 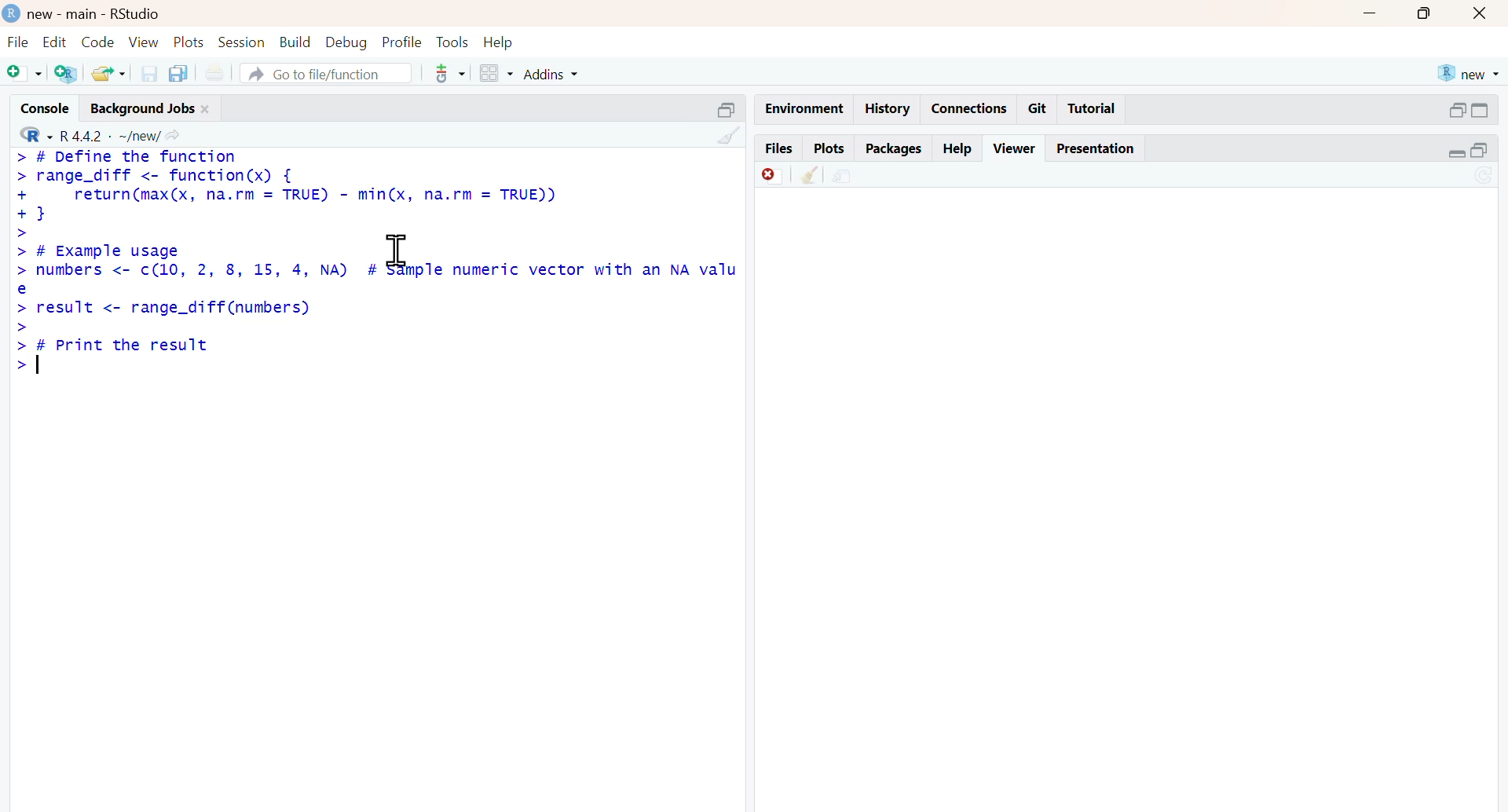 I want to click on R, so click(x=35, y=134).